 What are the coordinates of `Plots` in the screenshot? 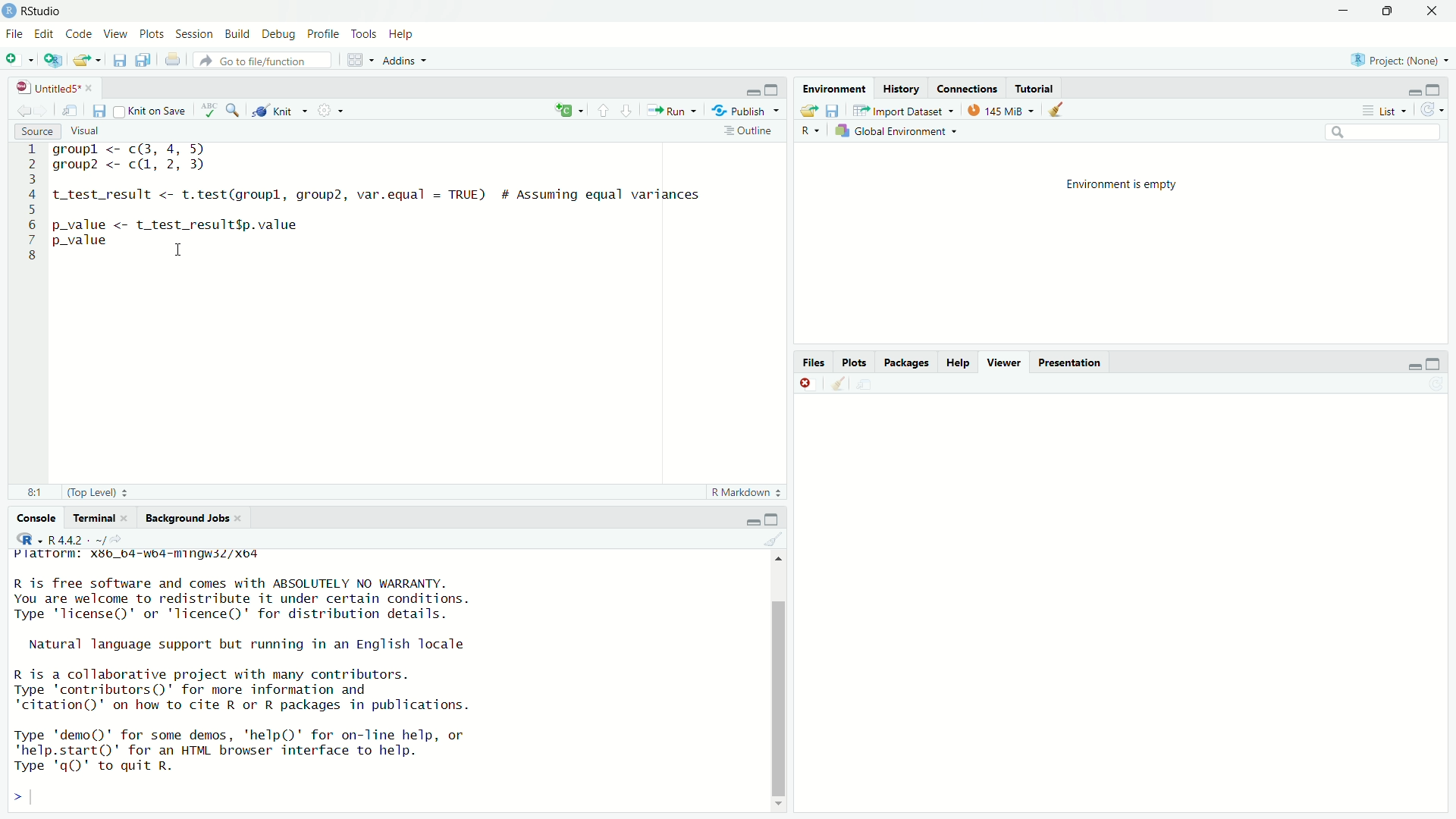 It's located at (152, 32).